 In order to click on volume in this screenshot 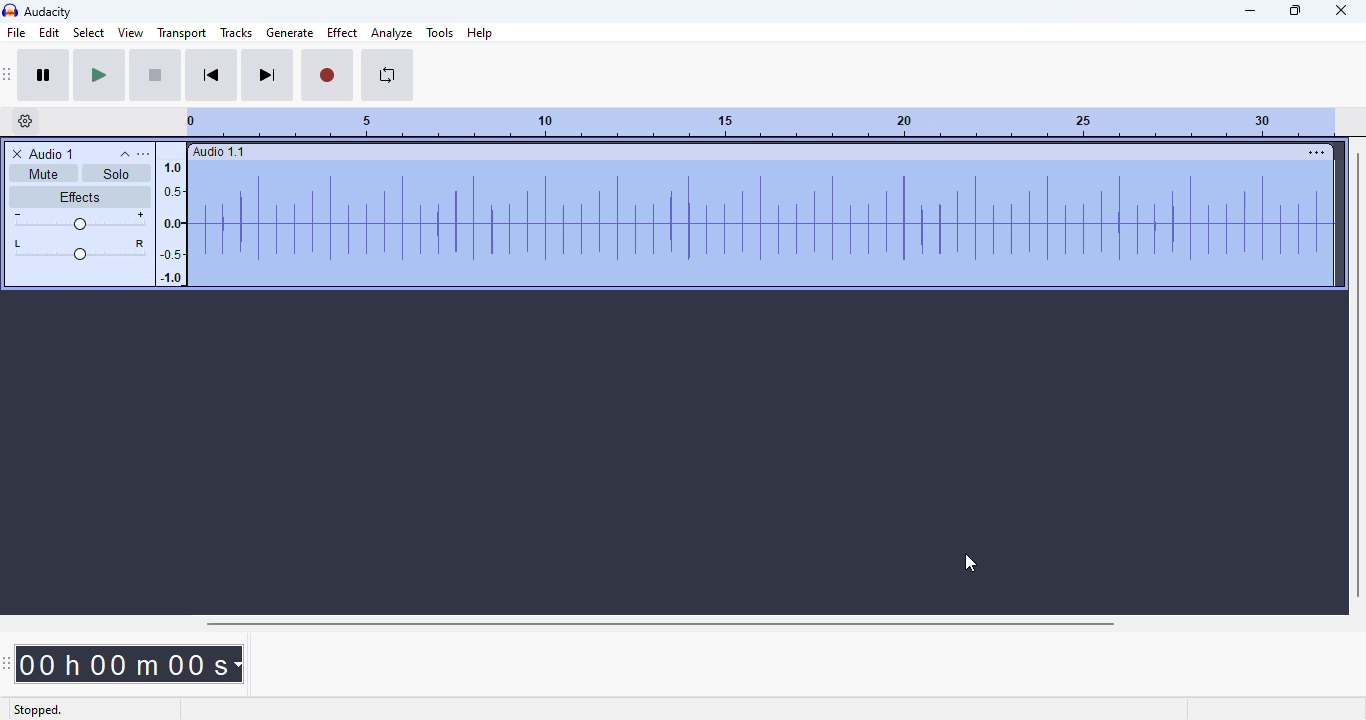, I will do `click(81, 220)`.